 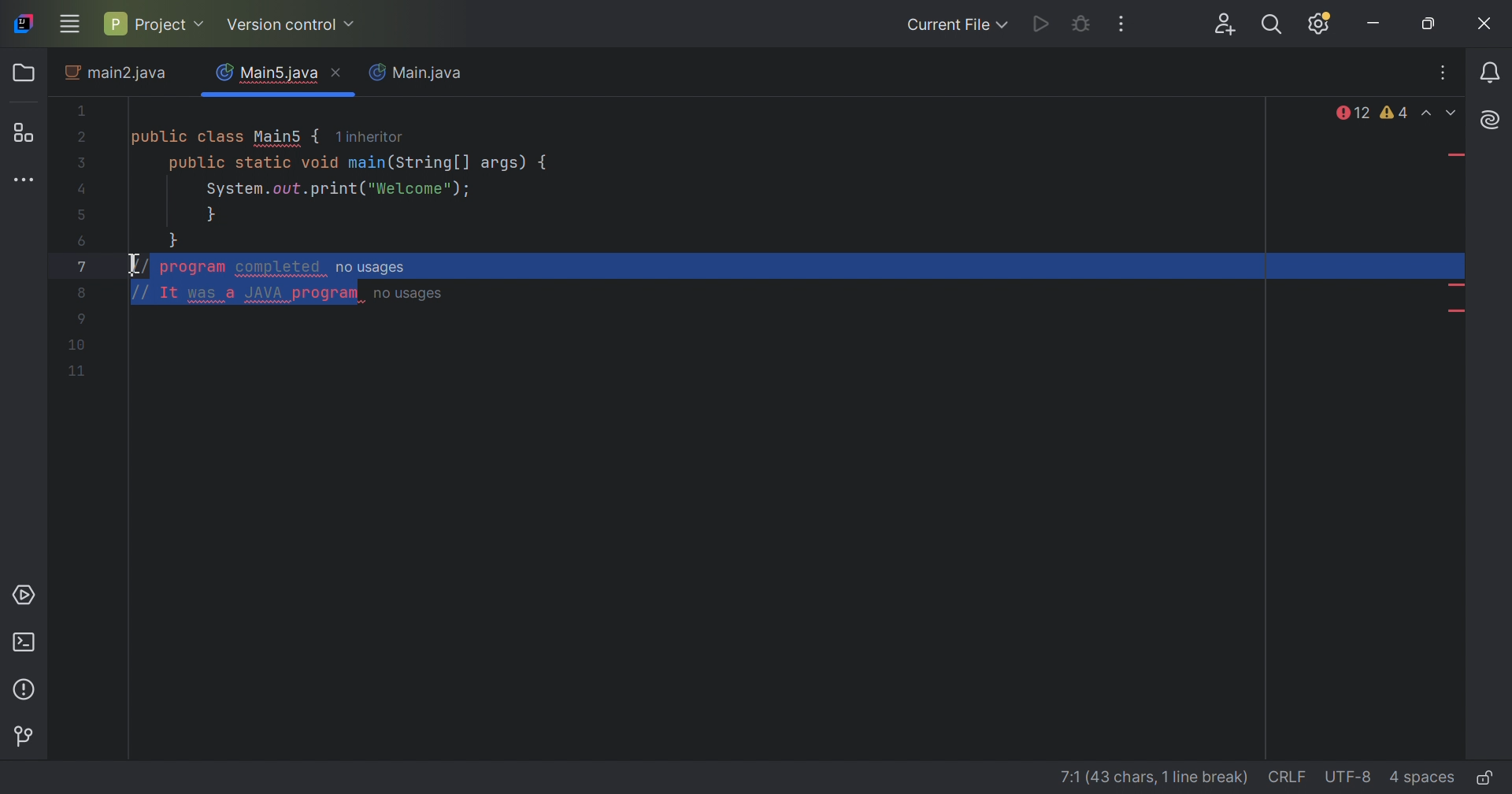 I want to click on Structure, so click(x=28, y=132).